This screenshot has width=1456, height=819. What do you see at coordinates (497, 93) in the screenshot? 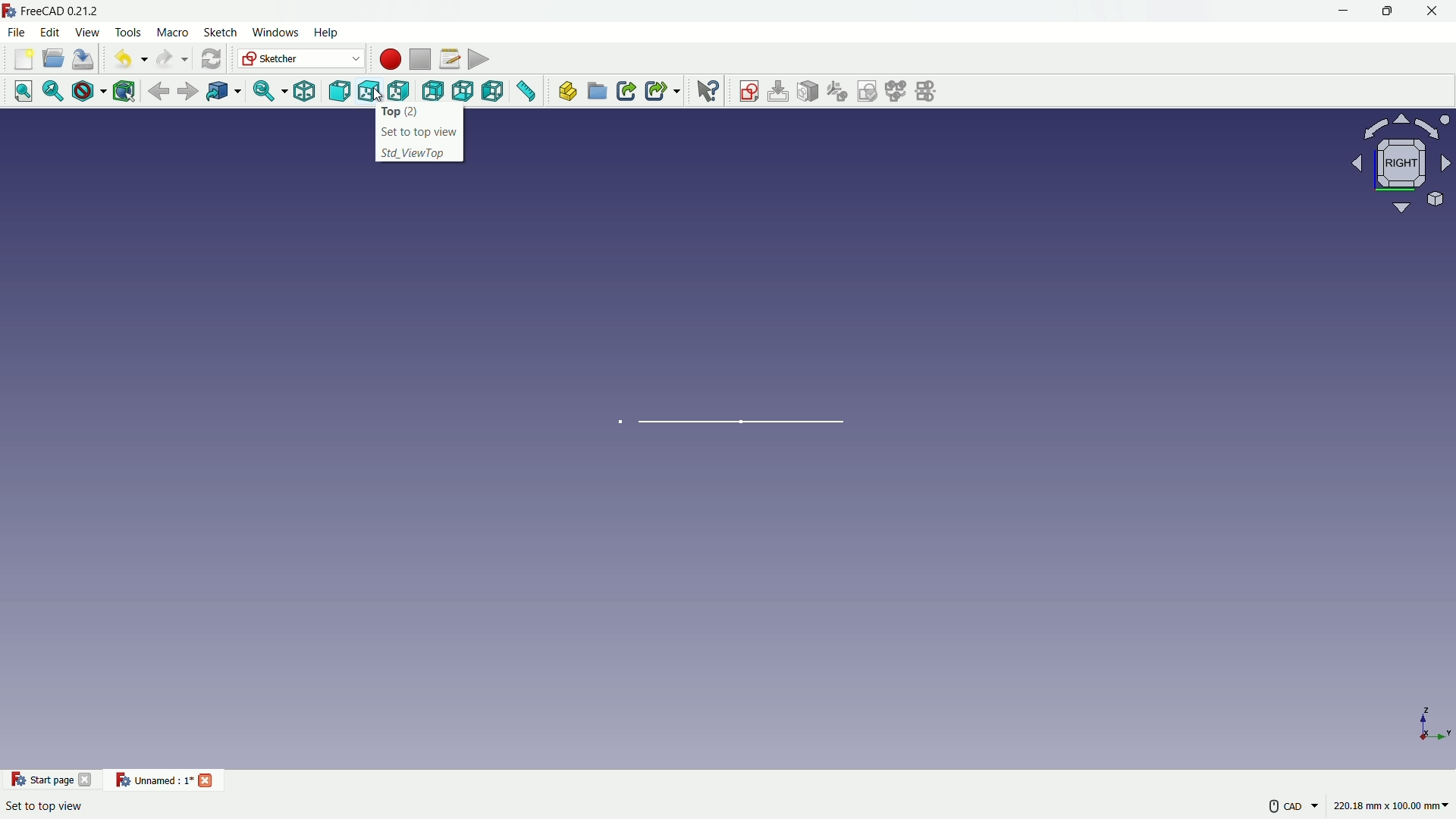
I see `left view` at bounding box center [497, 93].